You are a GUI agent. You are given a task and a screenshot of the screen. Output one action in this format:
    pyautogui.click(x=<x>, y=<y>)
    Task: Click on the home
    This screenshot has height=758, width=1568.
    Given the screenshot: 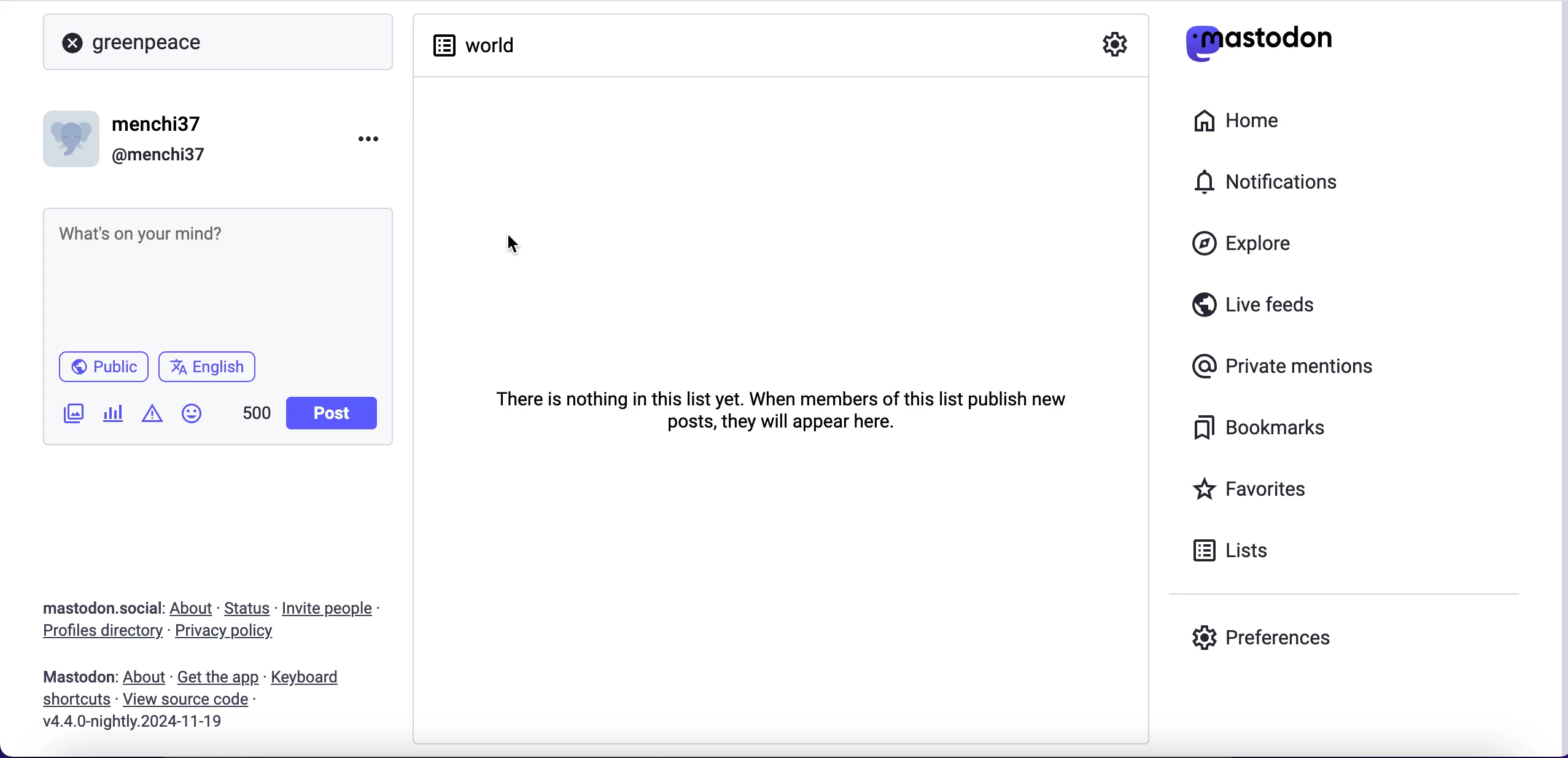 What is the action you would take?
    pyautogui.click(x=1234, y=121)
    